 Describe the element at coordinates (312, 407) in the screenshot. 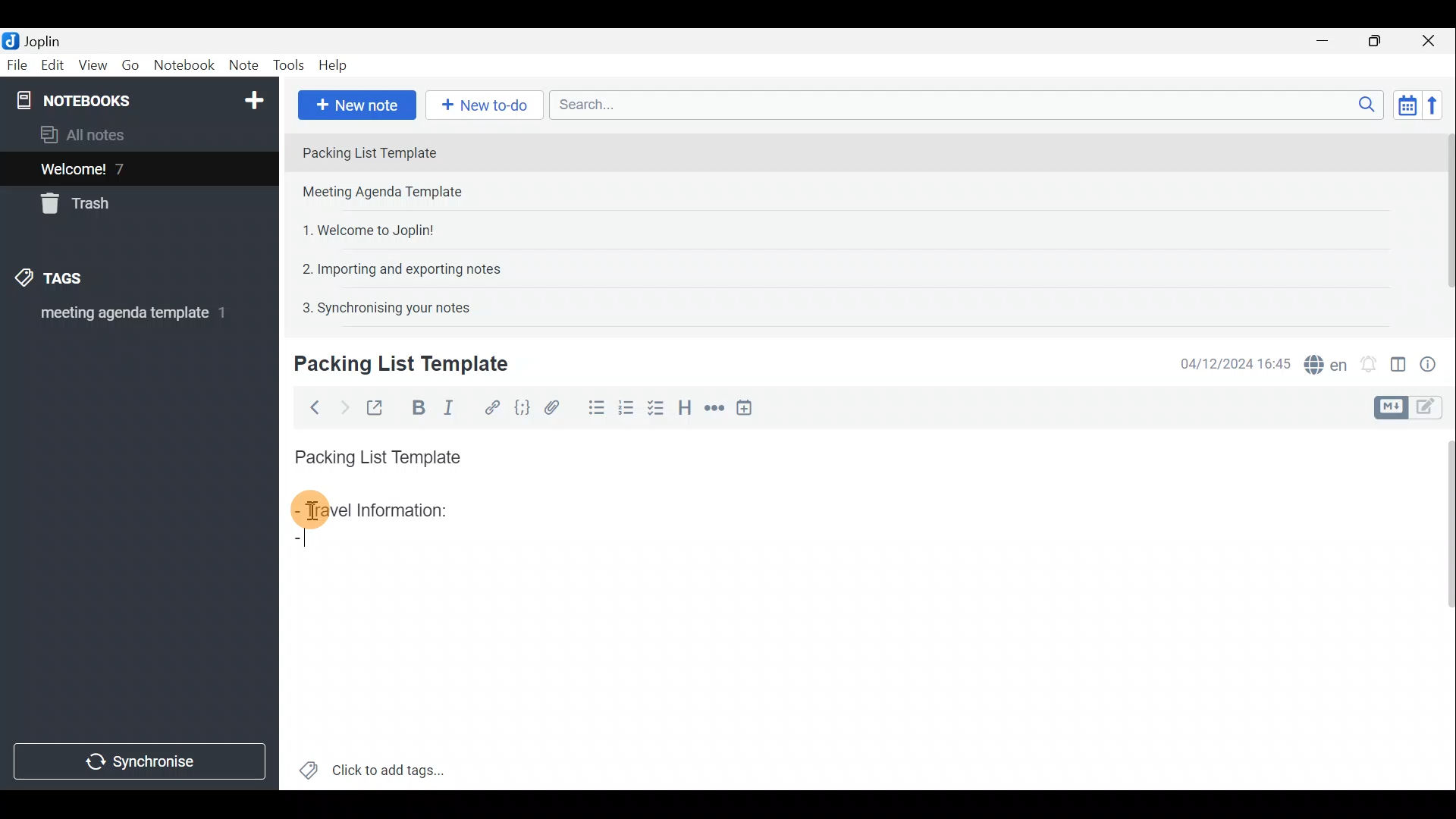

I see `Back` at that location.